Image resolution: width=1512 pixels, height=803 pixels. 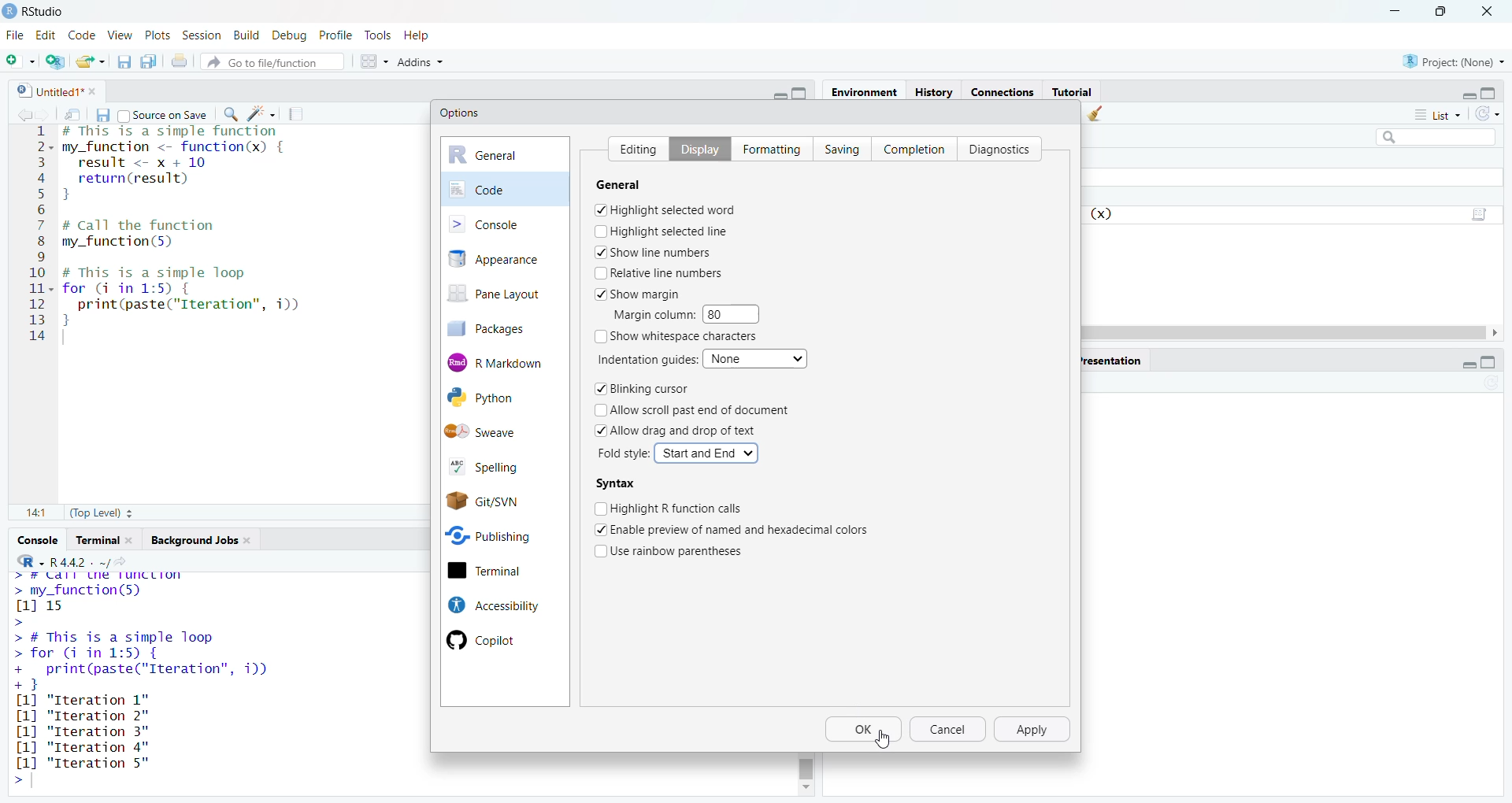 I want to click on minimize, so click(x=1394, y=9).